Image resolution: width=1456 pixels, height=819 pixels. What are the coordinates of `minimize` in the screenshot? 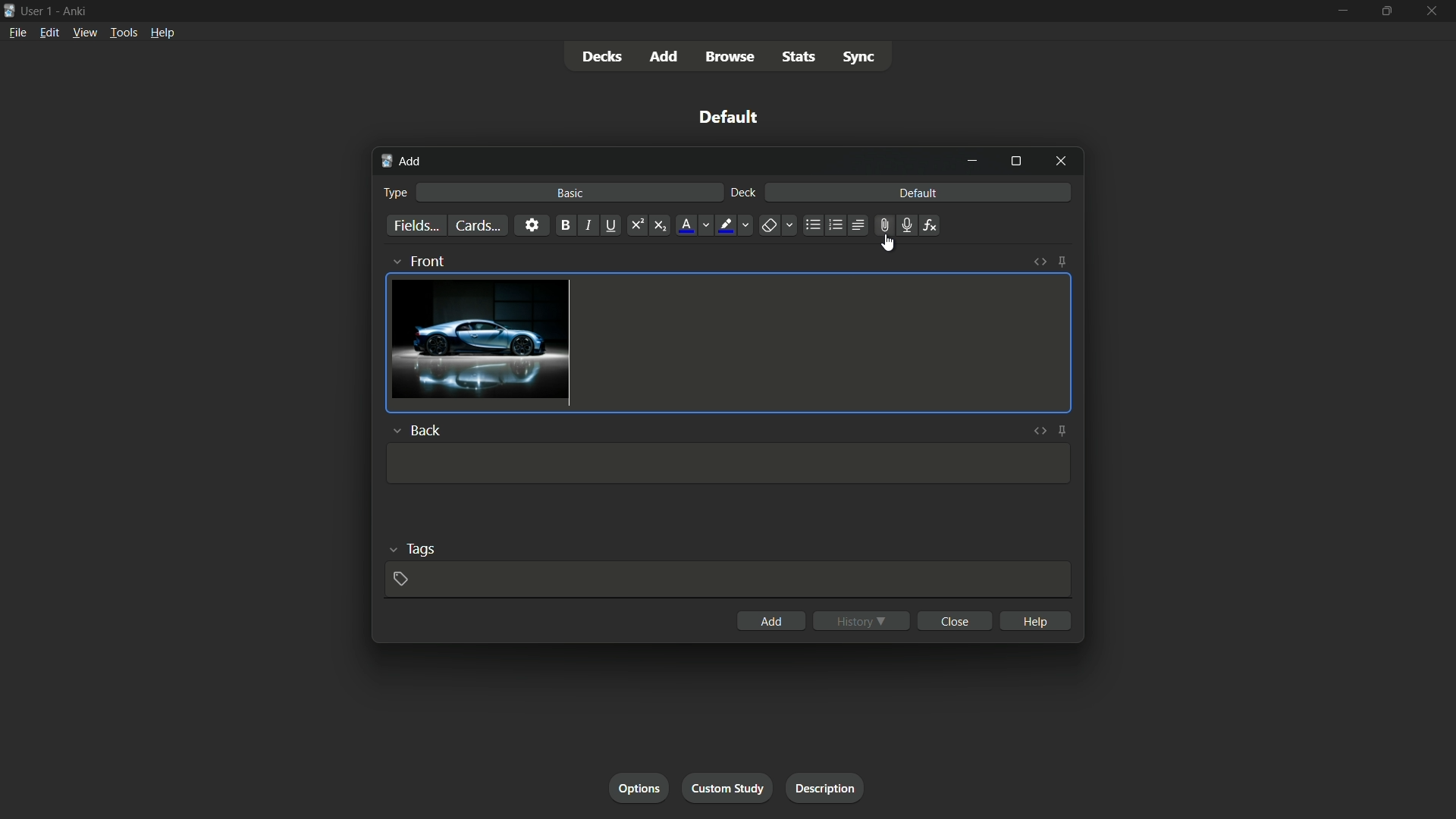 It's located at (1341, 11).